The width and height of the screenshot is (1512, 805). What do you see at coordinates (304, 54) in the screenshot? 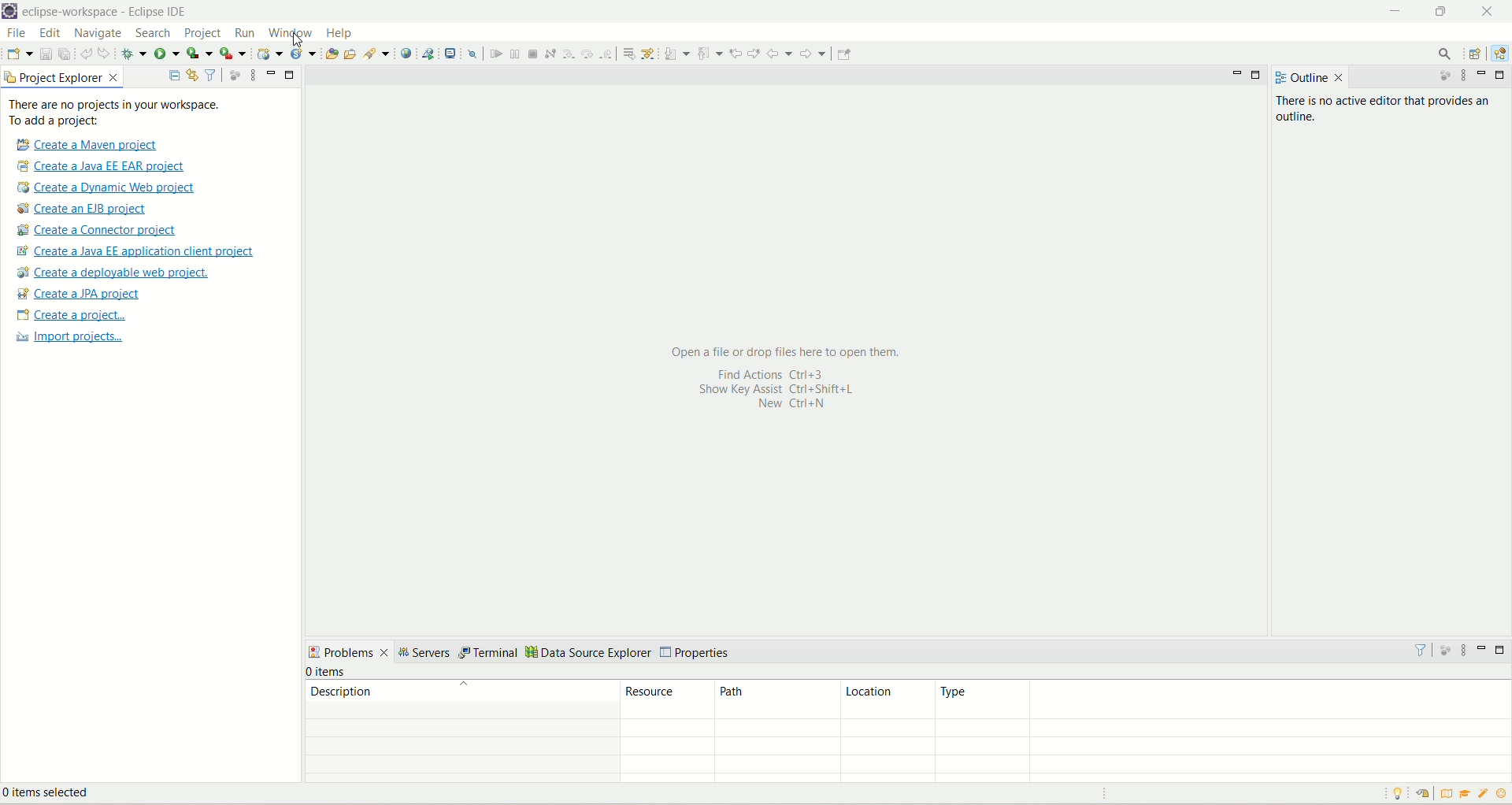
I see `create a new java servlet` at bounding box center [304, 54].